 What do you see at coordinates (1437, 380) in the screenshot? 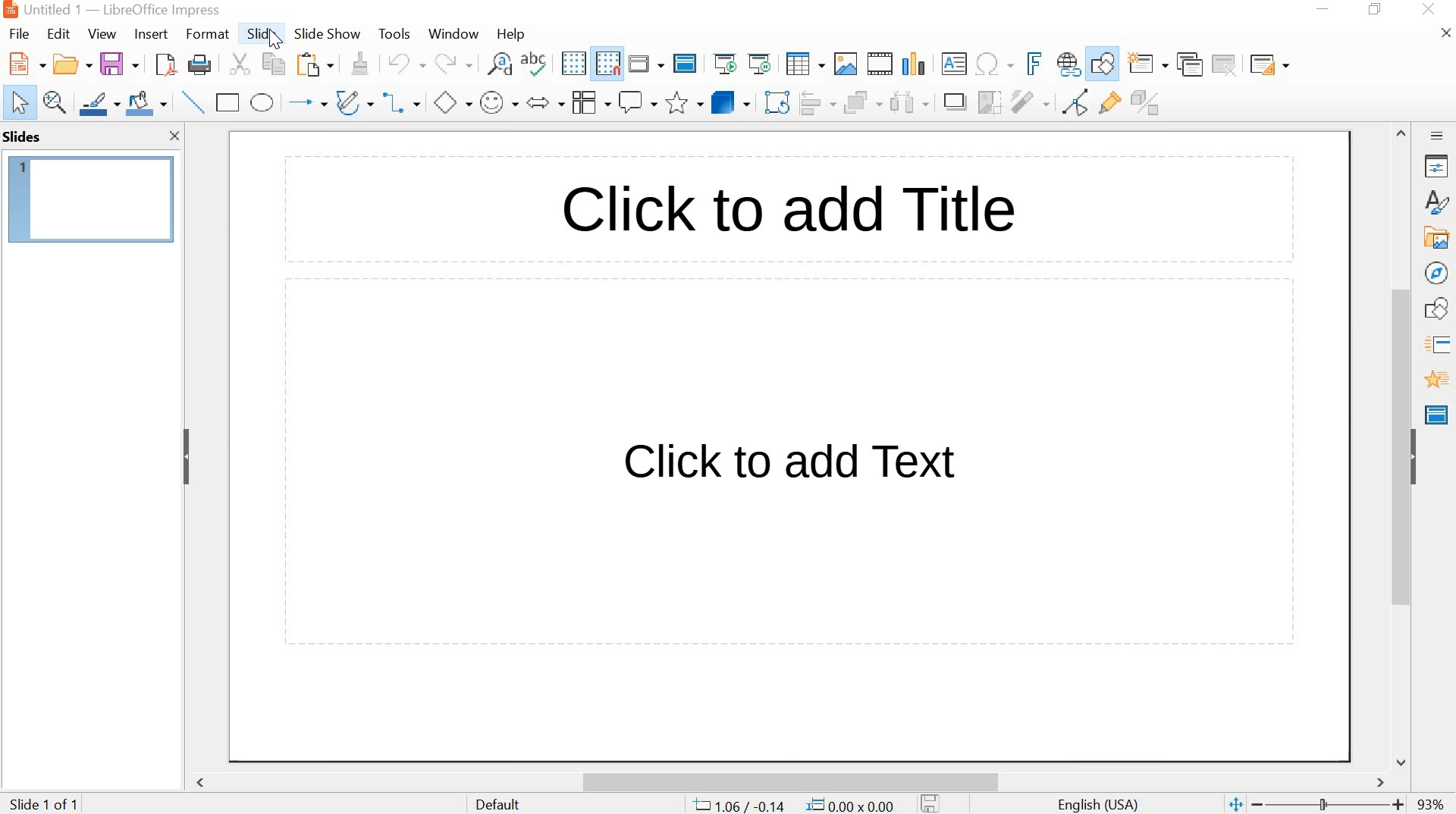
I see `ANIMATION` at bounding box center [1437, 380].